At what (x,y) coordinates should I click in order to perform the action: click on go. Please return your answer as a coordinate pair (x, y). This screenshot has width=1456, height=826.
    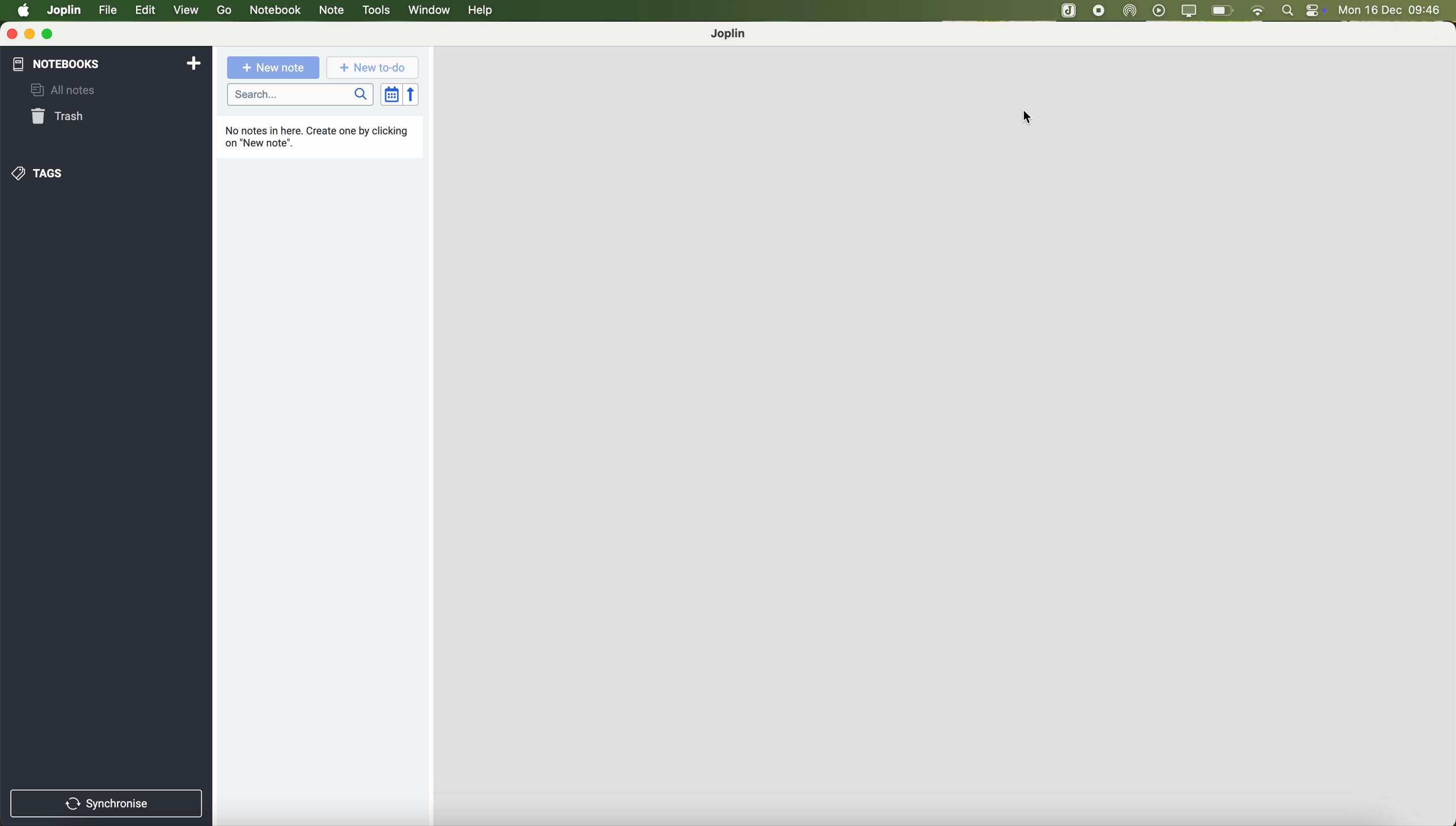
    Looking at the image, I should click on (224, 11).